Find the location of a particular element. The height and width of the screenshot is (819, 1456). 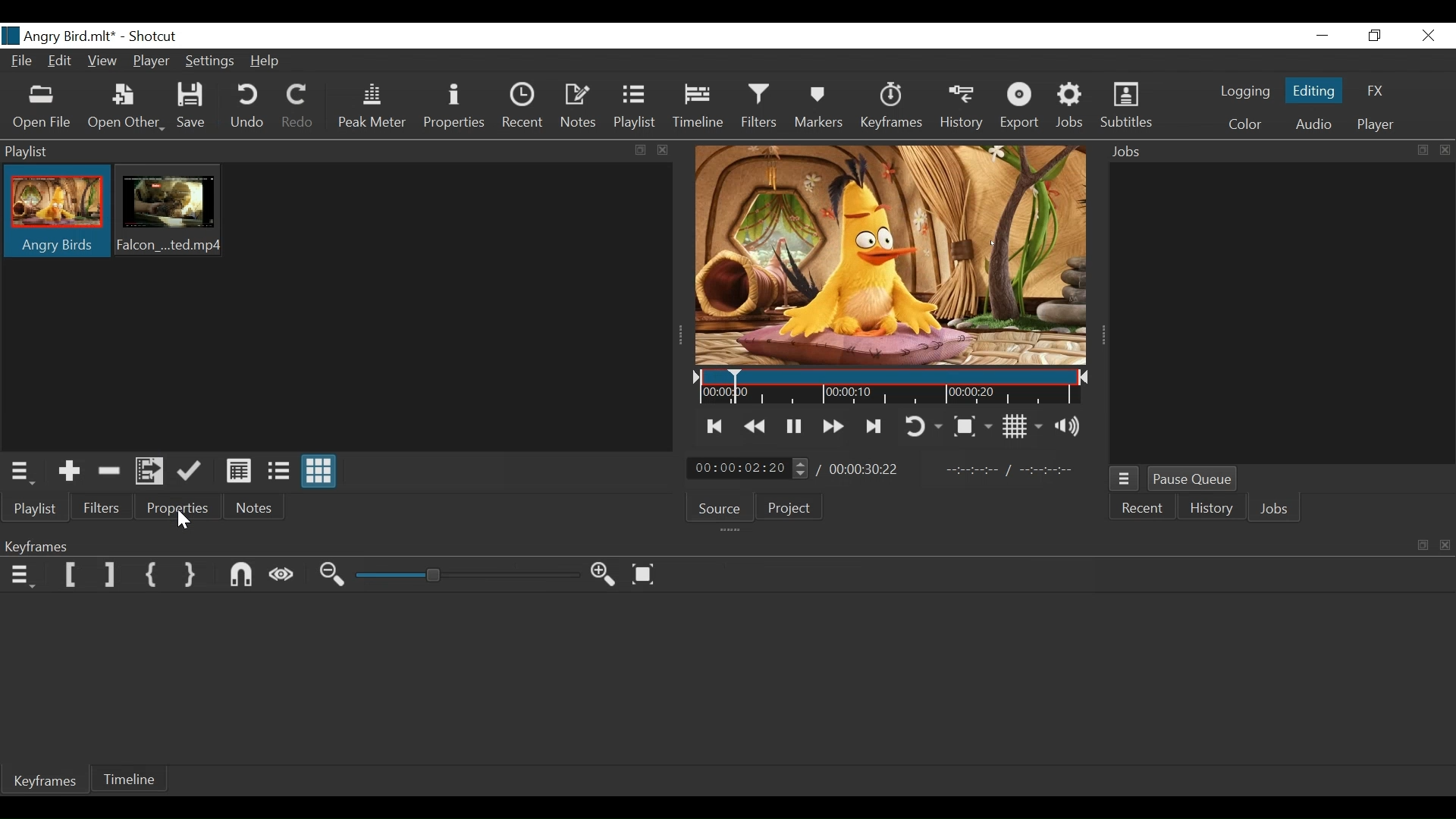

Recent is located at coordinates (1144, 510).